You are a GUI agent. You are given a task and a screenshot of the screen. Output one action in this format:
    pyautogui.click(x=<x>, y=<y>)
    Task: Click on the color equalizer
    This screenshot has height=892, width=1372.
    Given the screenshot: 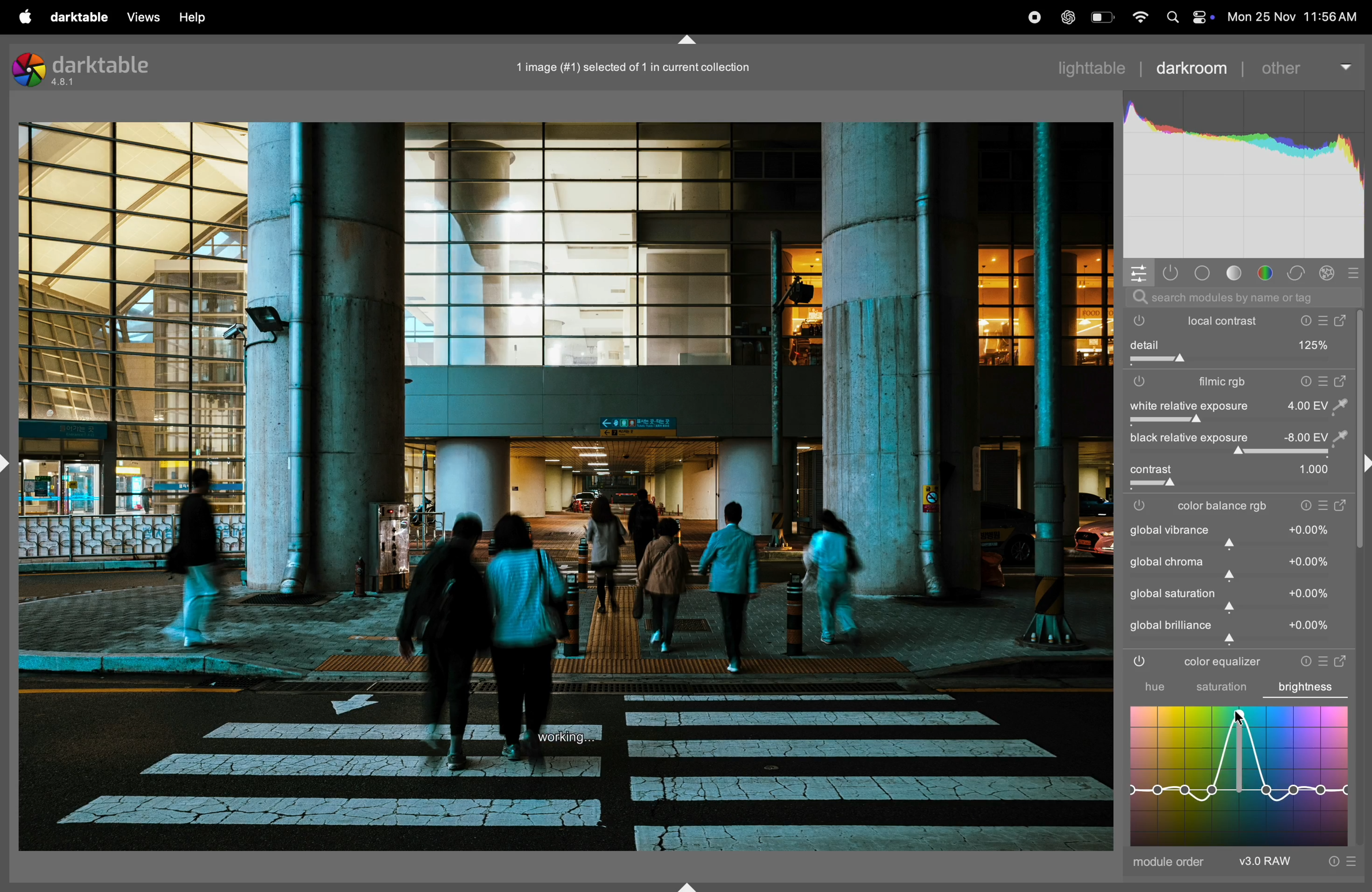 What is the action you would take?
    pyautogui.click(x=1220, y=663)
    